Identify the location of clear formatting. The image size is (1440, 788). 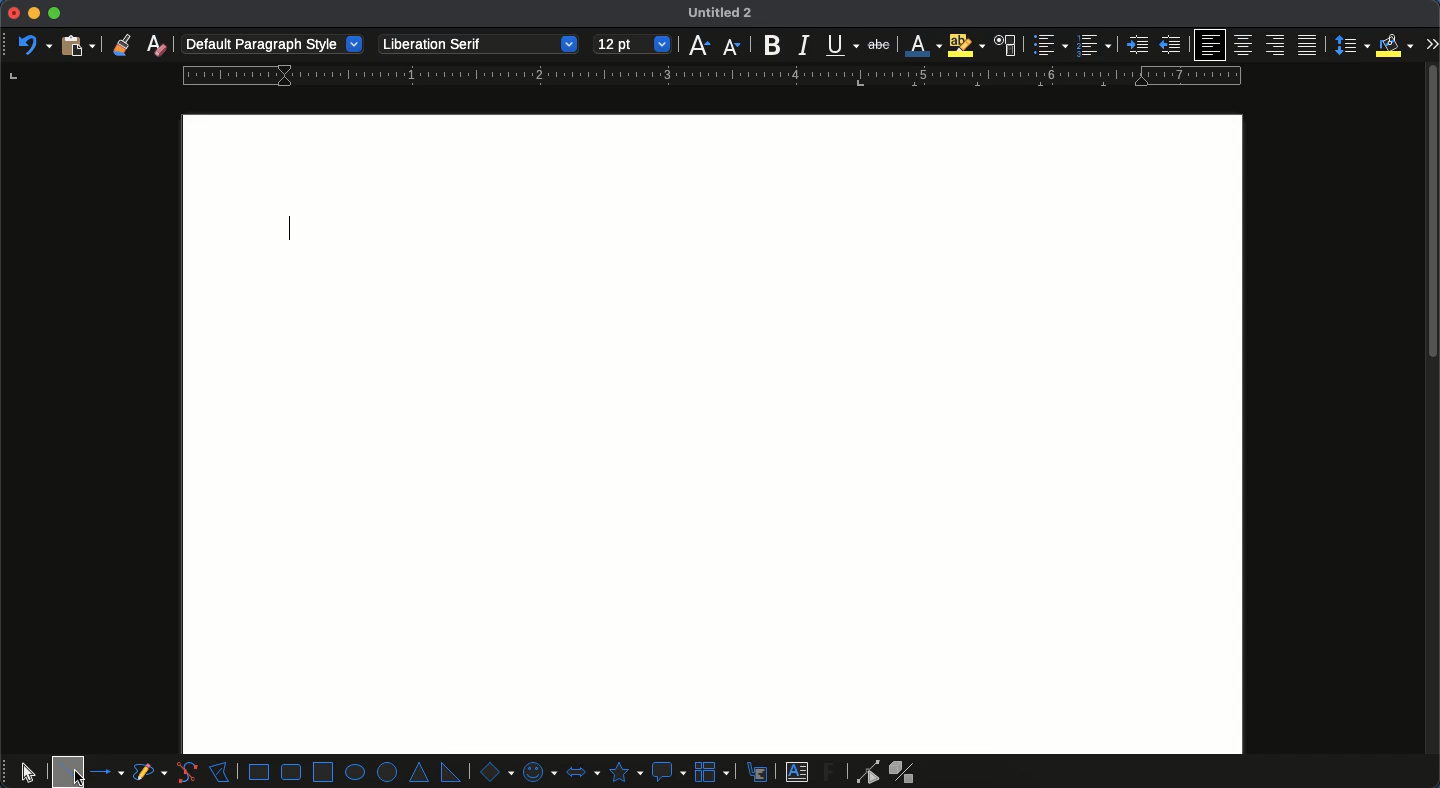
(156, 45).